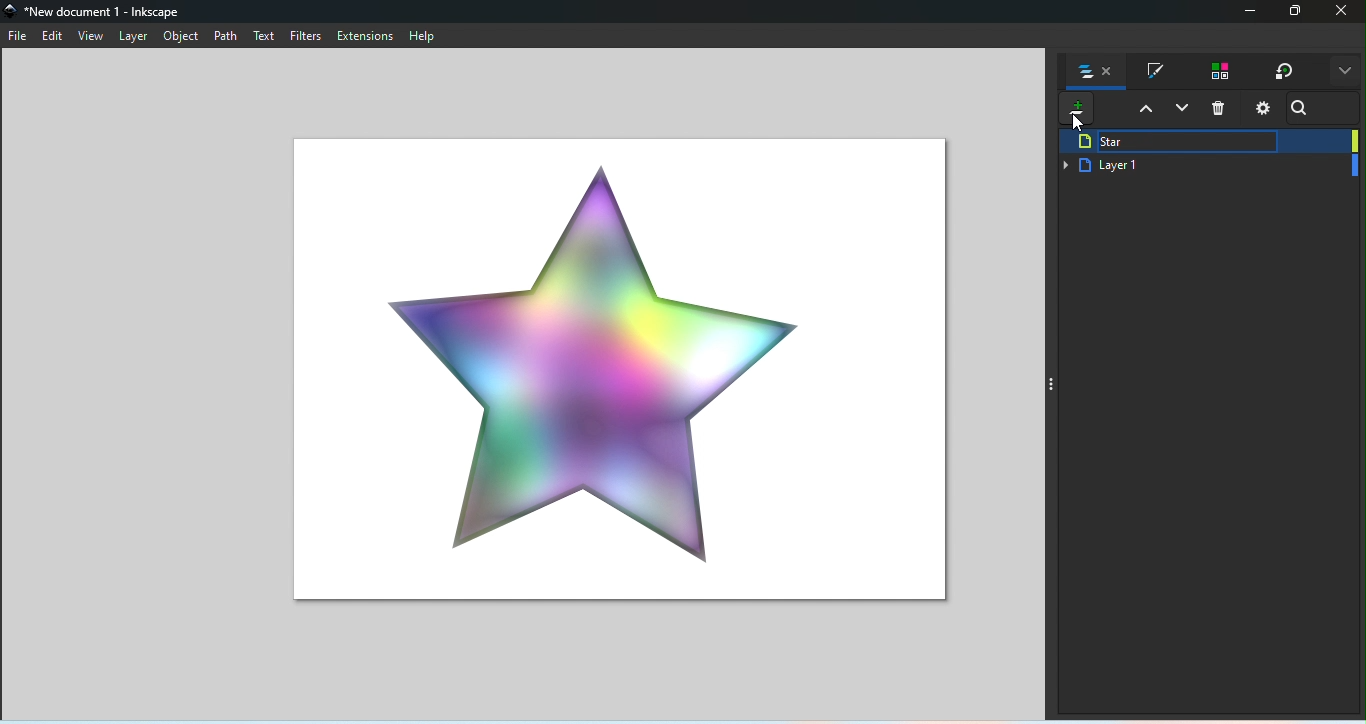 The height and width of the screenshot is (724, 1366). Describe the element at coordinates (184, 38) in the screenshot. I see `Object` at that location.